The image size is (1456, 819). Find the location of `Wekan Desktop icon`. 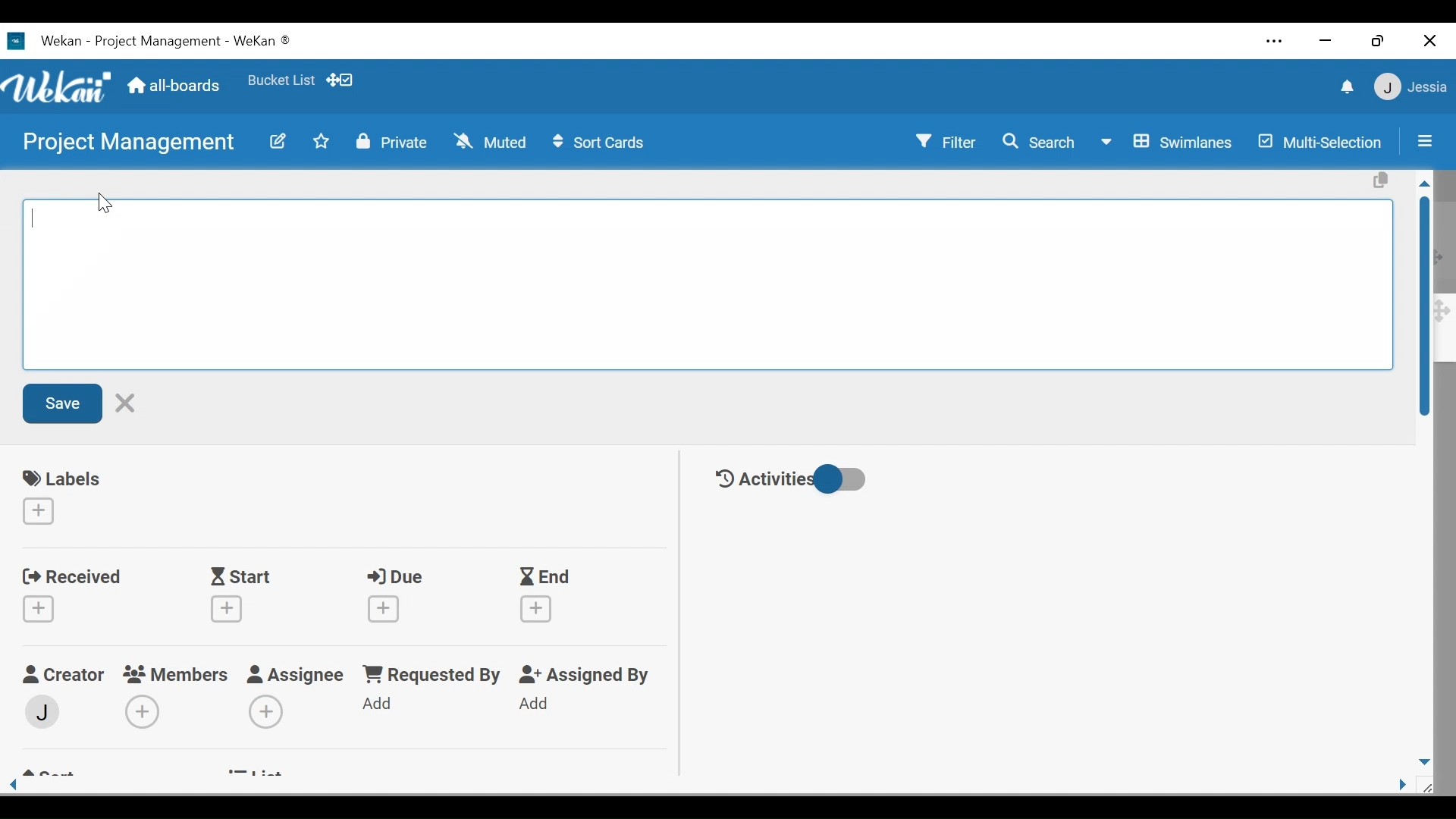

Wekan Desktop icon is located at coordinates (44, 40).